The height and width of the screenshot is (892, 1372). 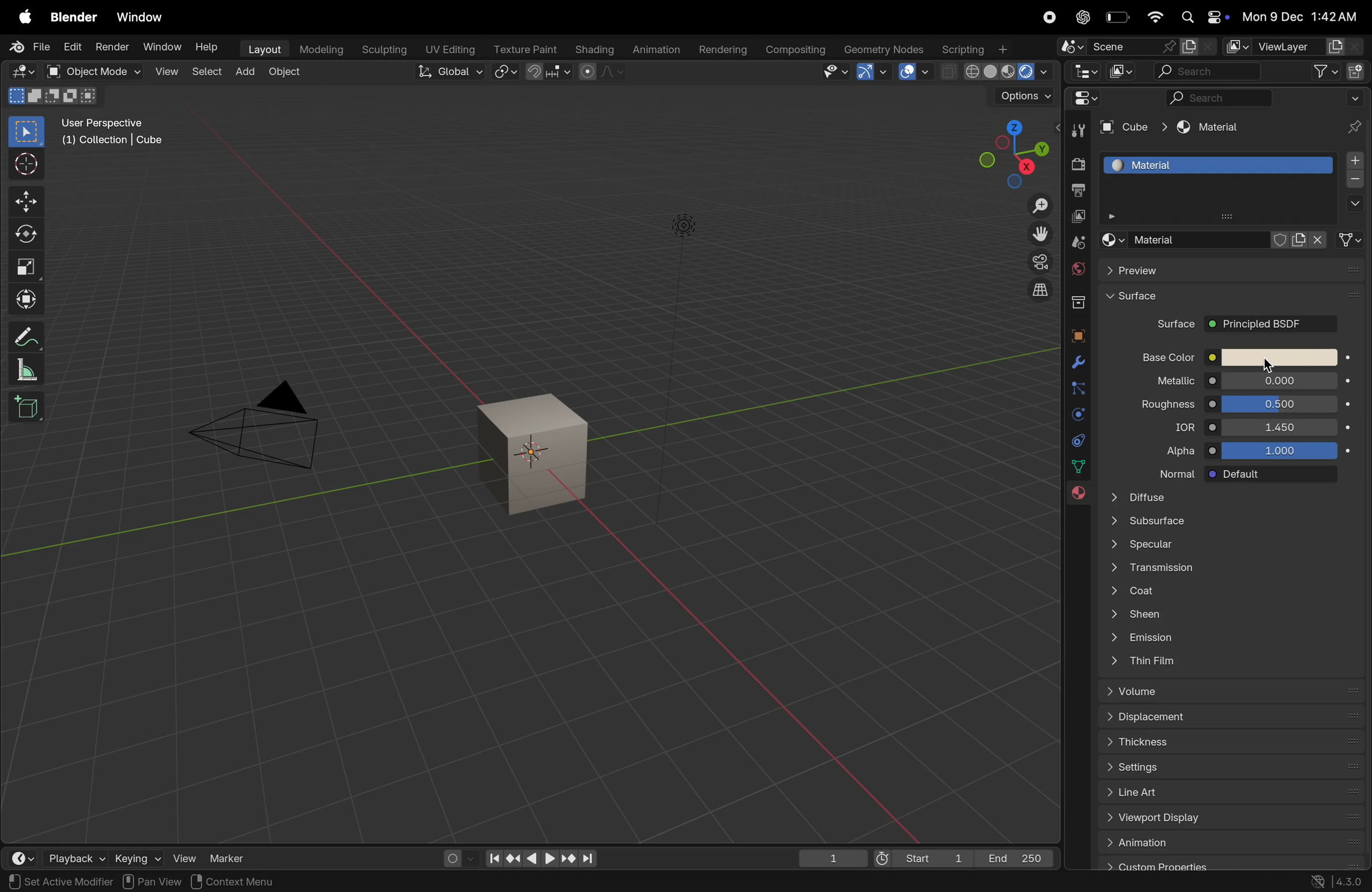 What do you see at coordinates (884, 48) in the screenshot?
I see `Geometry notes` at bounding box center [884, 48].